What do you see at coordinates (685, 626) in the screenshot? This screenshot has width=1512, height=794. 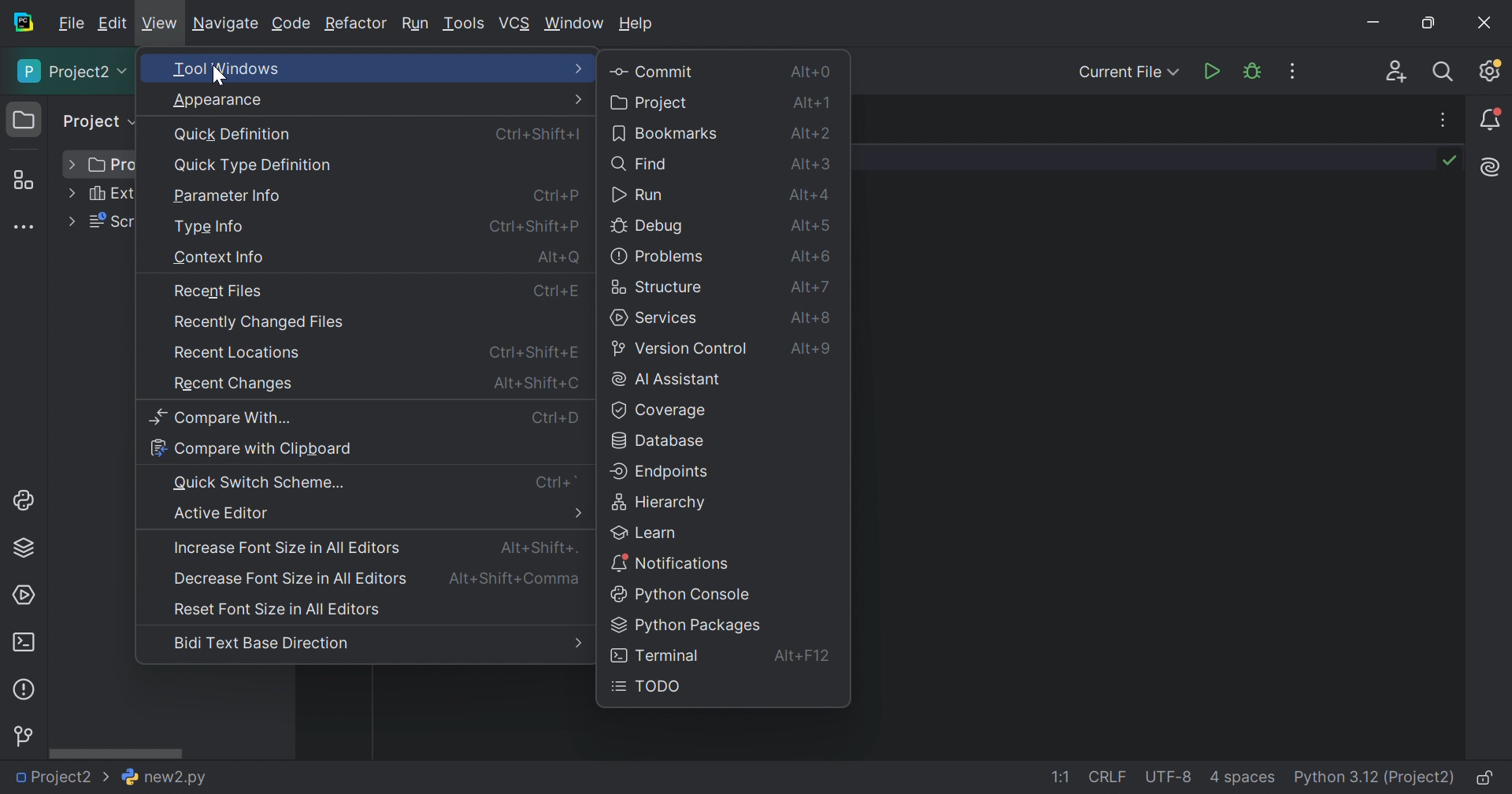 I see `Python packages` at bounding box center [685, 626].